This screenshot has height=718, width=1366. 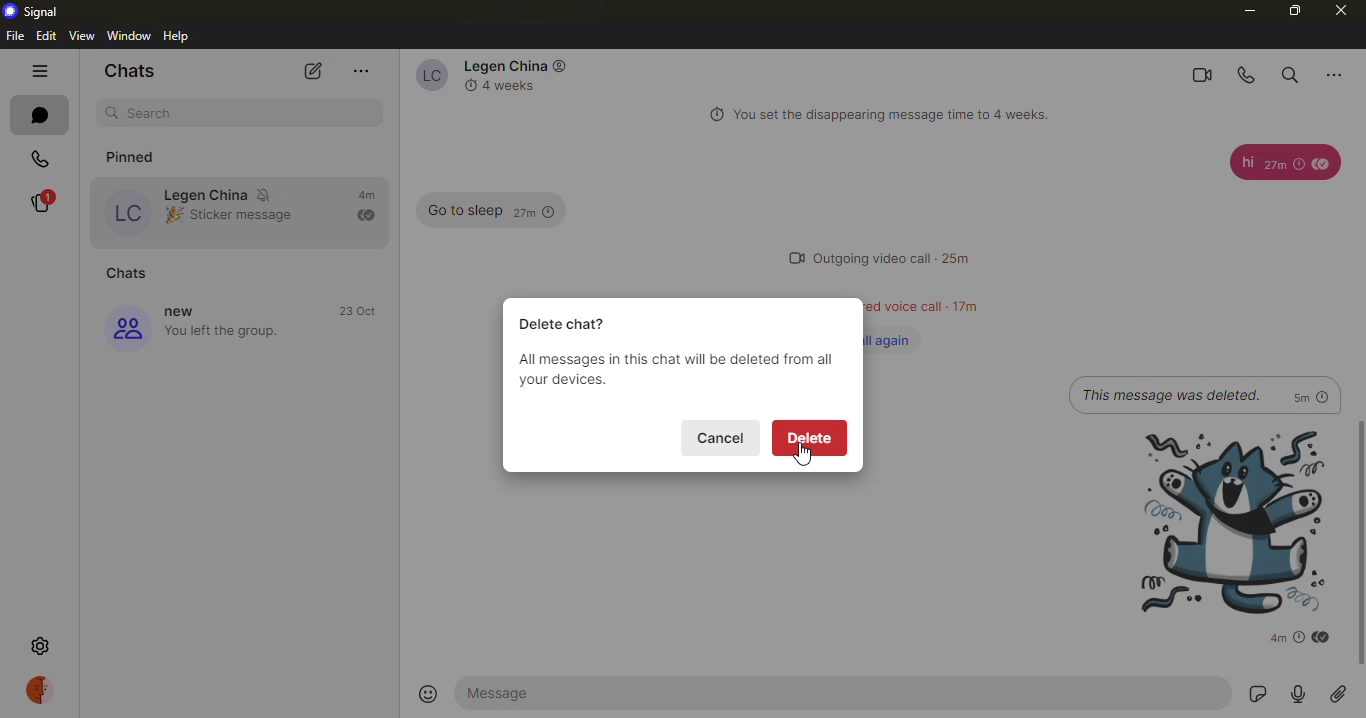 I want to click on chats, so click(x=127, y=69).